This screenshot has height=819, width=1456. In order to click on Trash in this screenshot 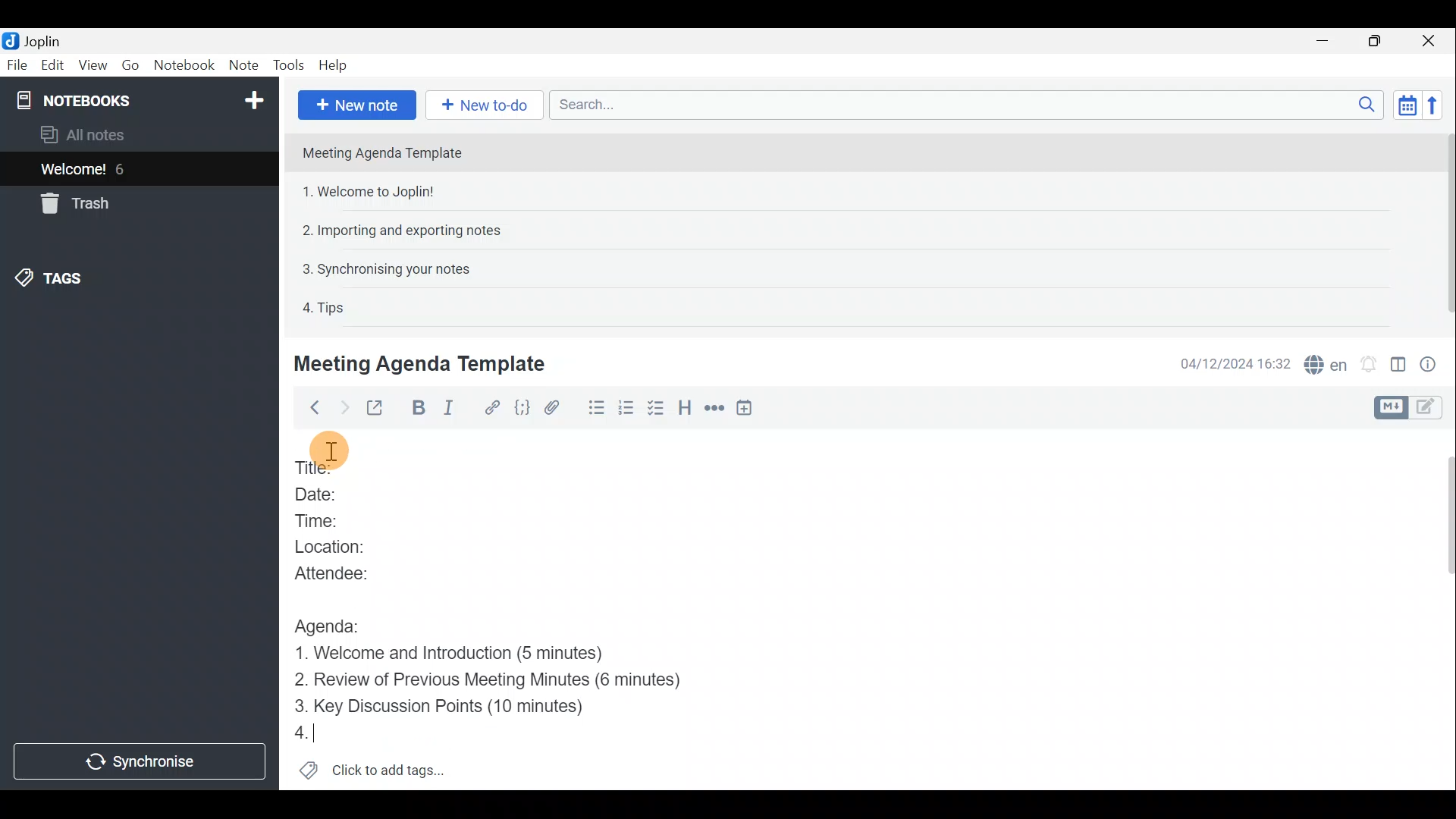, I will do `click(72, 203)`.